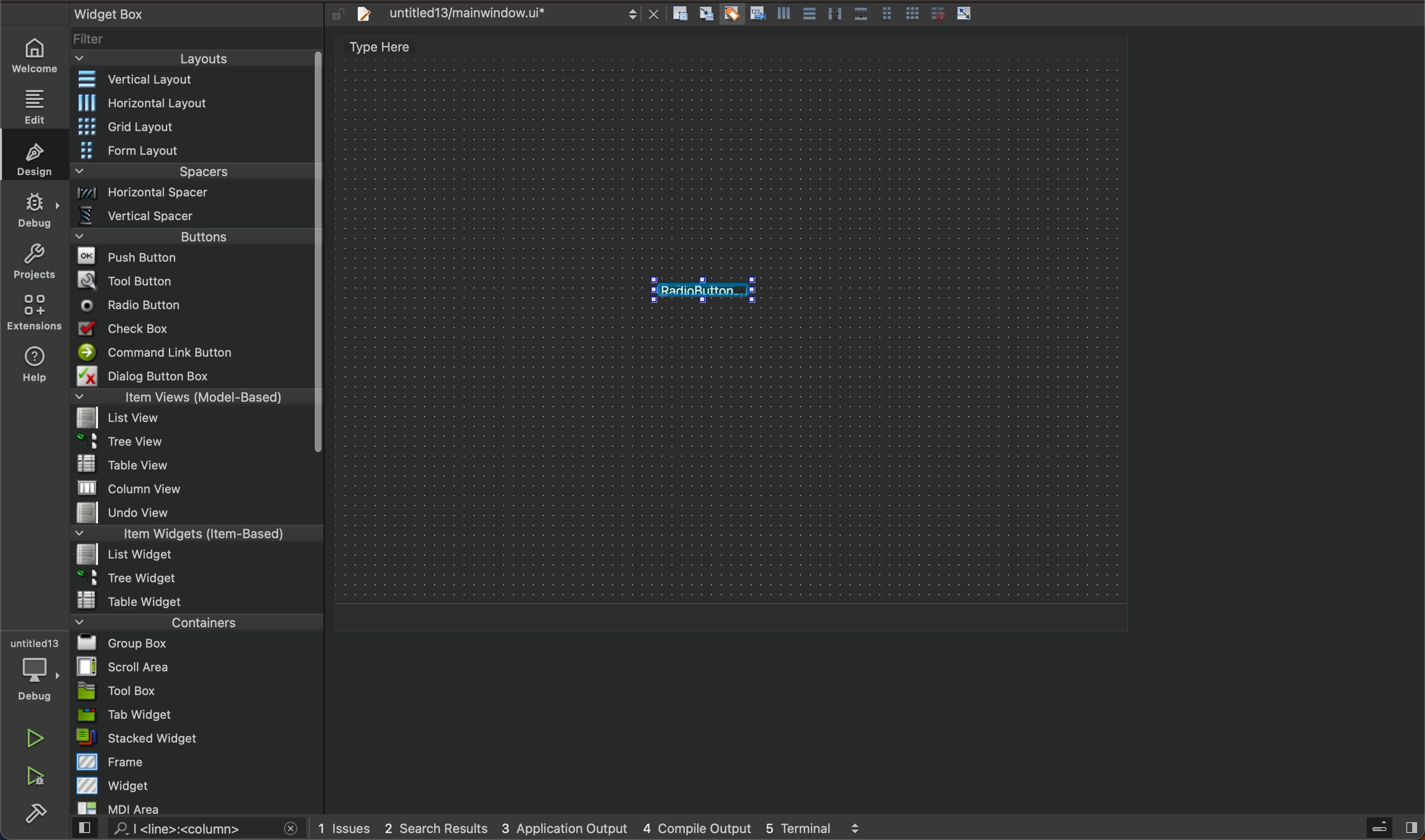 The width and height of the screenshot is (1425, 840). I want to click on widget, so click(199, 785).